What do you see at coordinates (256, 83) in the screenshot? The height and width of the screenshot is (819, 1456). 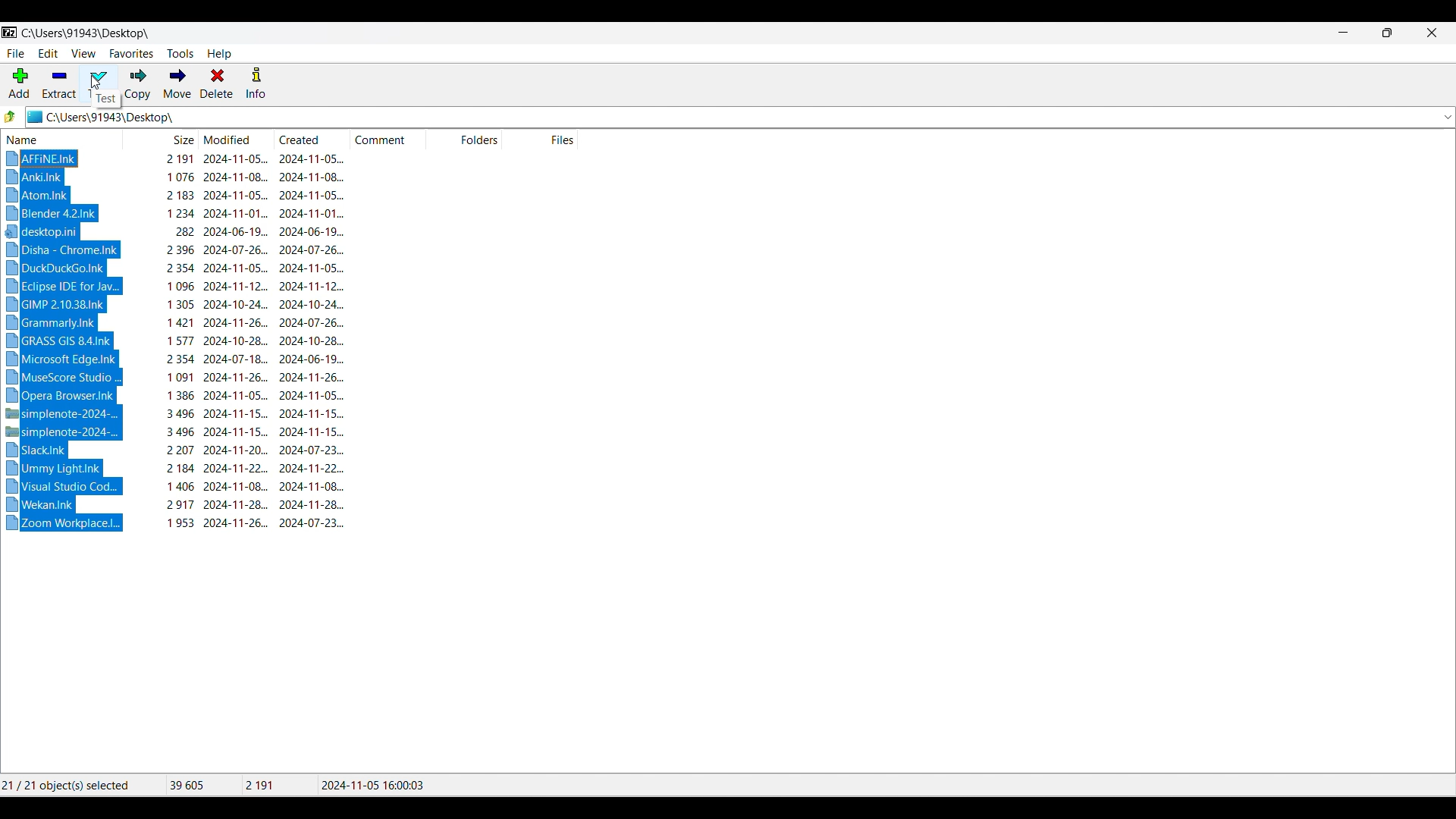 I see `Info` at bounding box center [256, 83].